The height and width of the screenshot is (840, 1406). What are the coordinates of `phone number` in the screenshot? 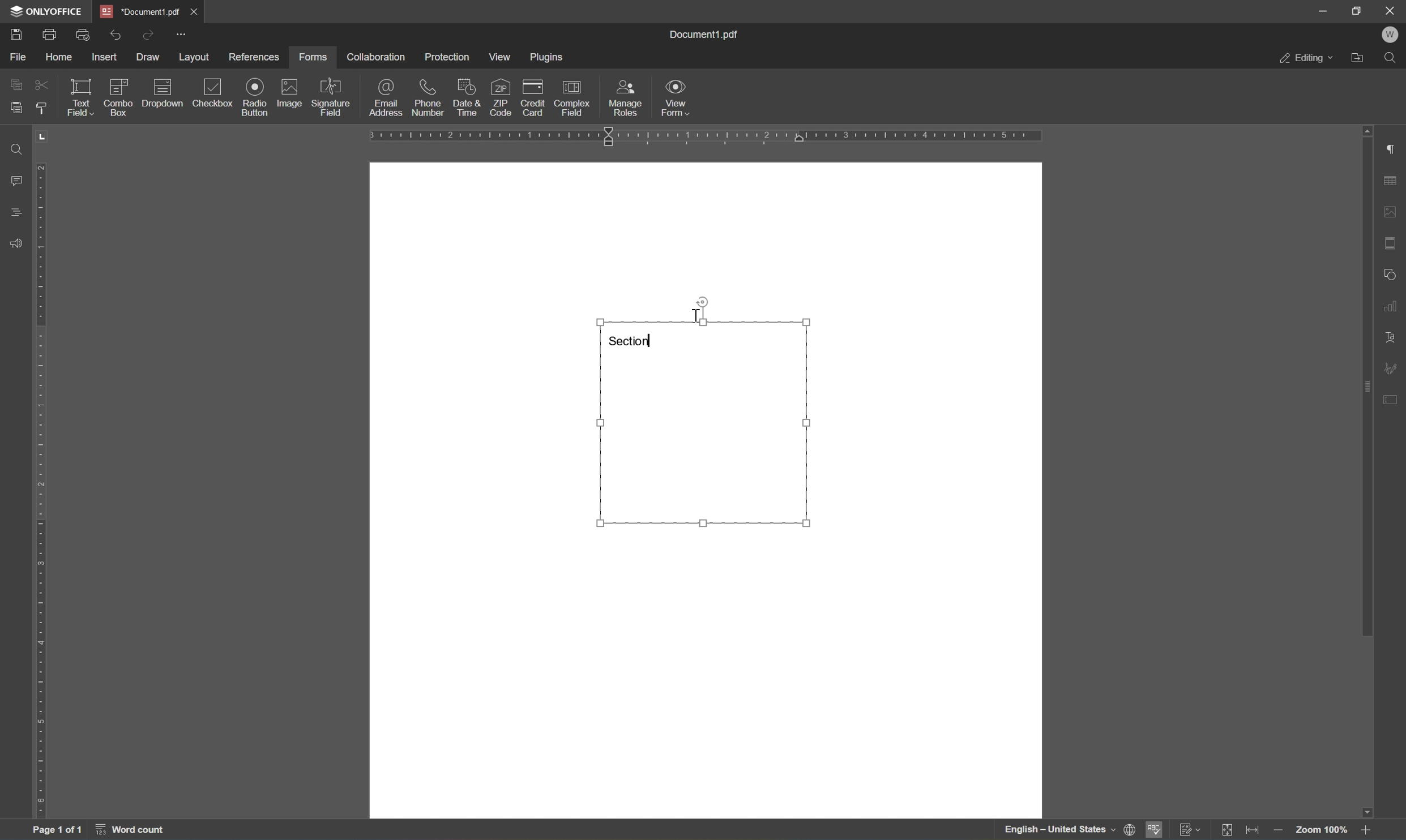 It's located at (426, 98).